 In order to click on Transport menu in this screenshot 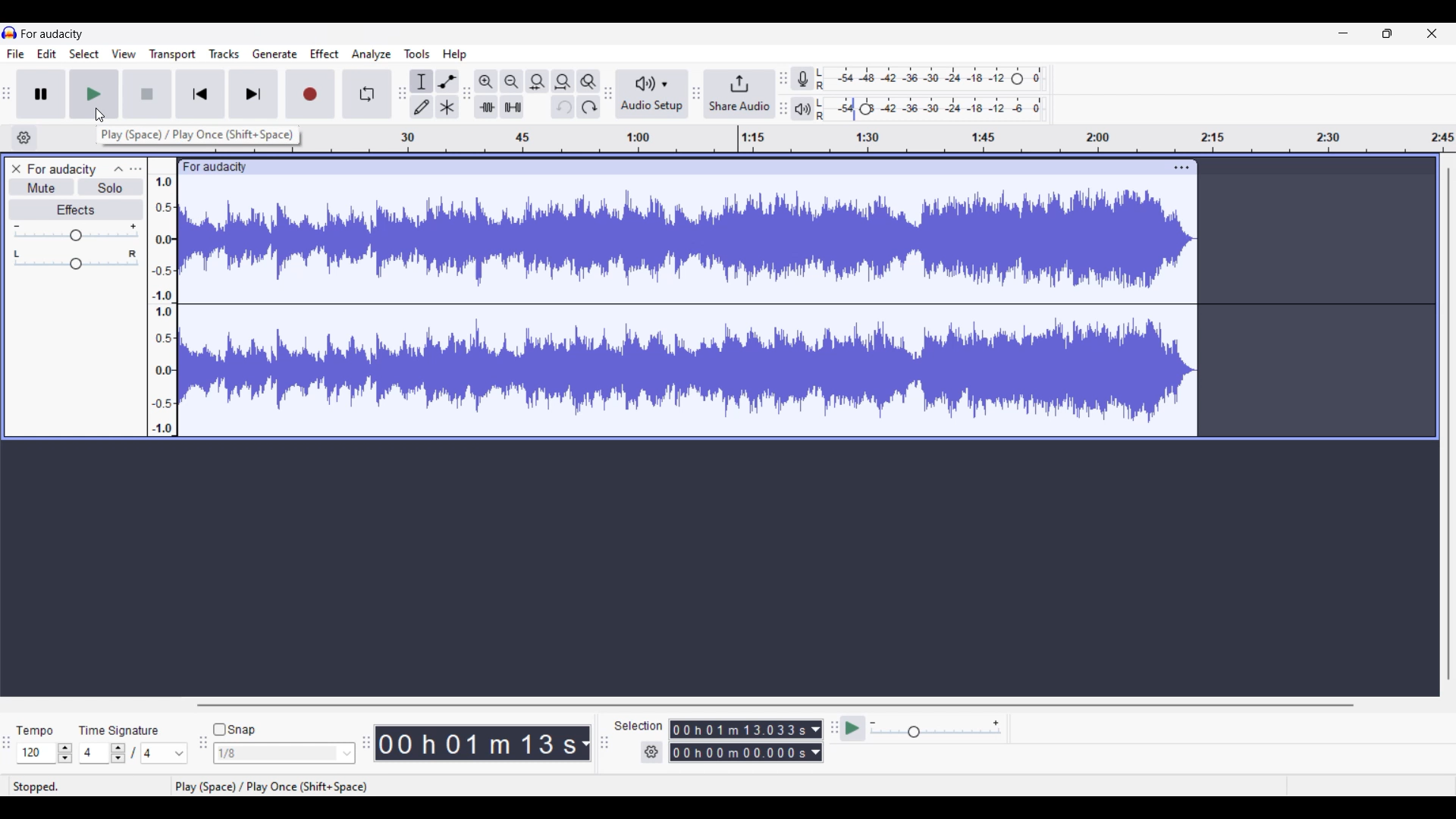, I will do `click(172, 54)`.